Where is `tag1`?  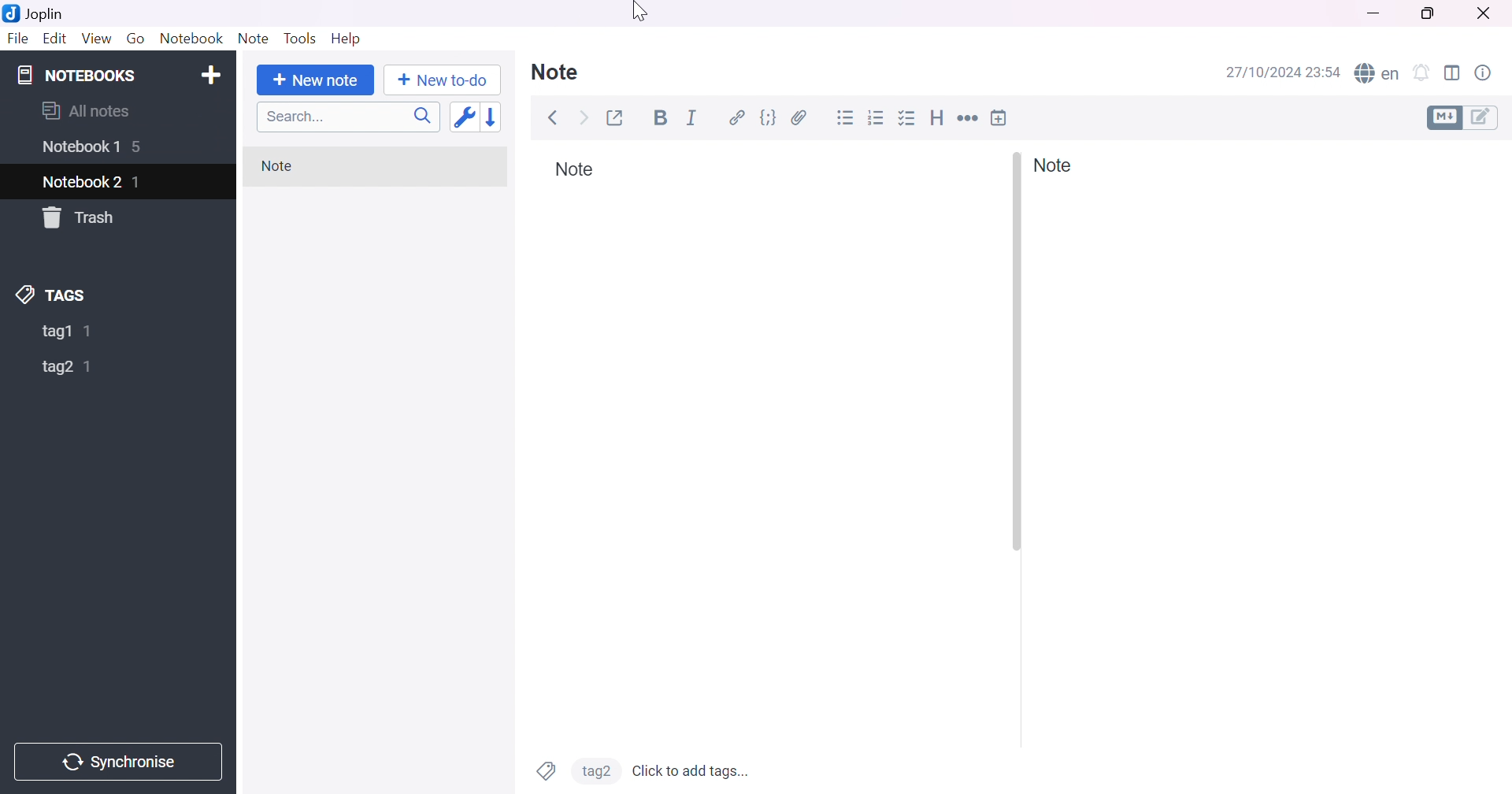
tag1 is located at coordinates (54, 332).